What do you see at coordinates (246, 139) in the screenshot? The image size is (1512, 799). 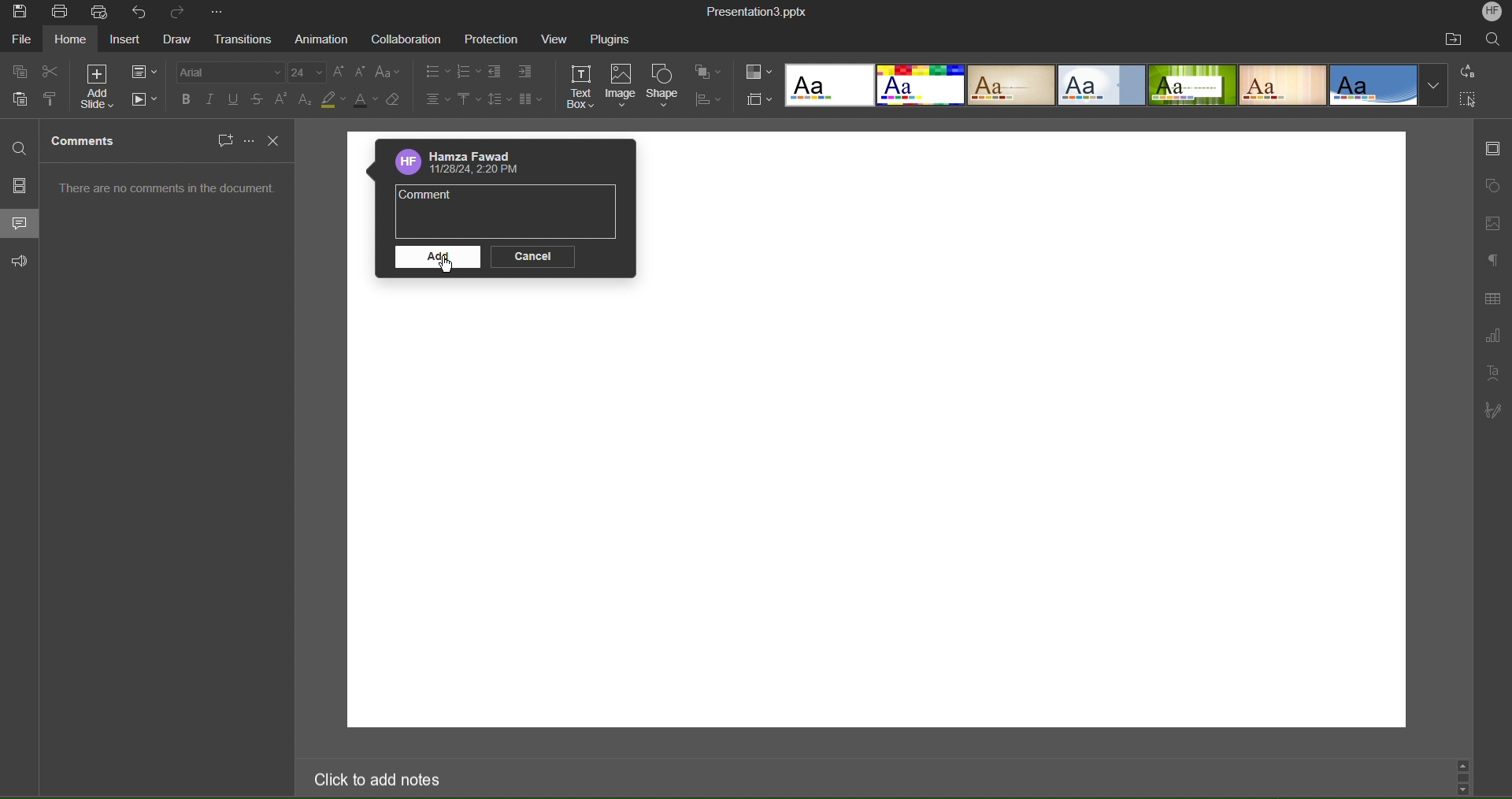 I see `More` at bounding box center [246, 139].